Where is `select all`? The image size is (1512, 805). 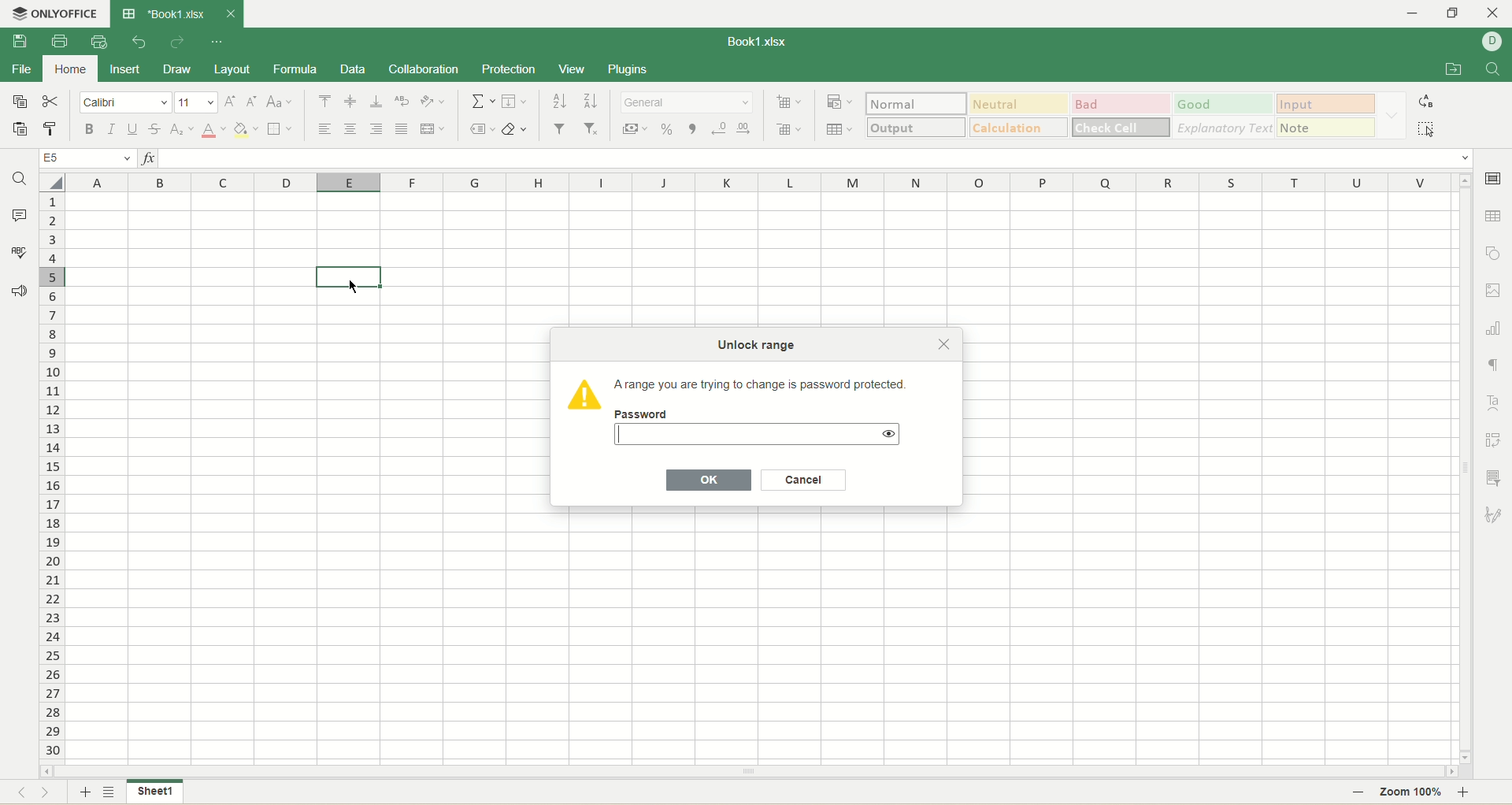
select all is located at coordinates (52, 183).